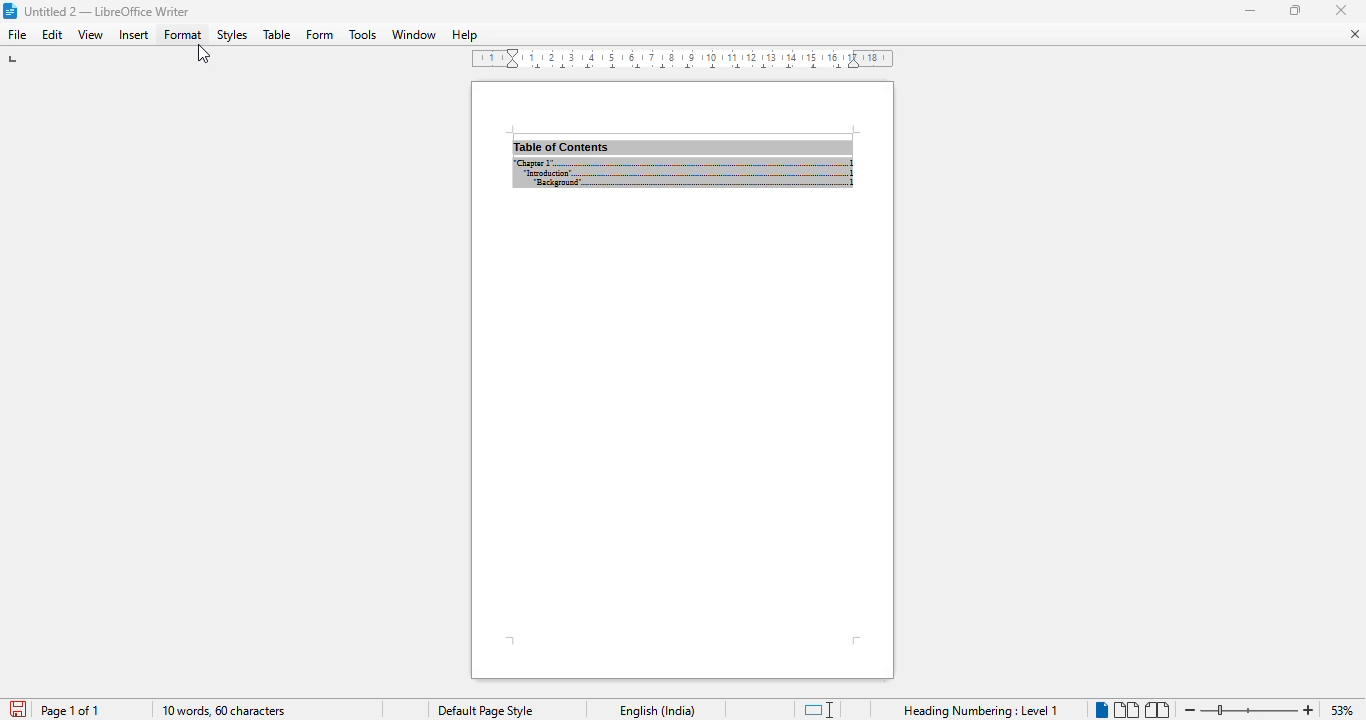  What do you see at coordinates (465, 34) in the screenshot?
I see `help` at bounding box center [465, 34].